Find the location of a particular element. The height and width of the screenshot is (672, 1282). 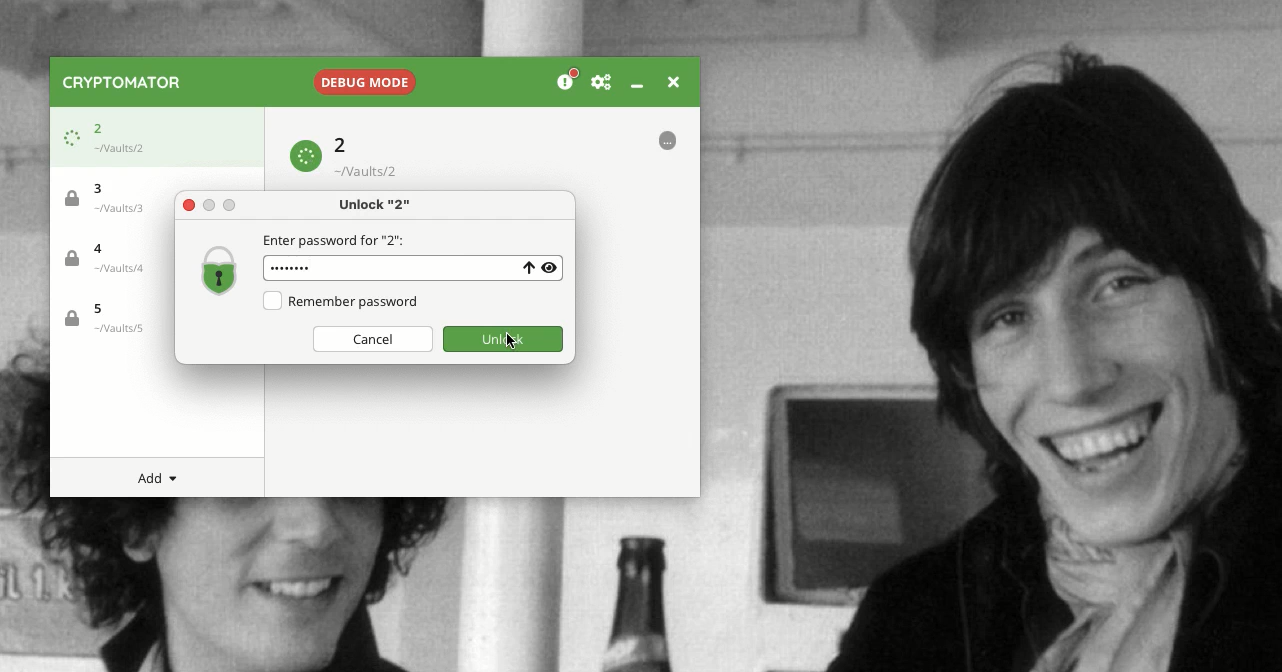

Checkbox is located at coordinates (272, 301).